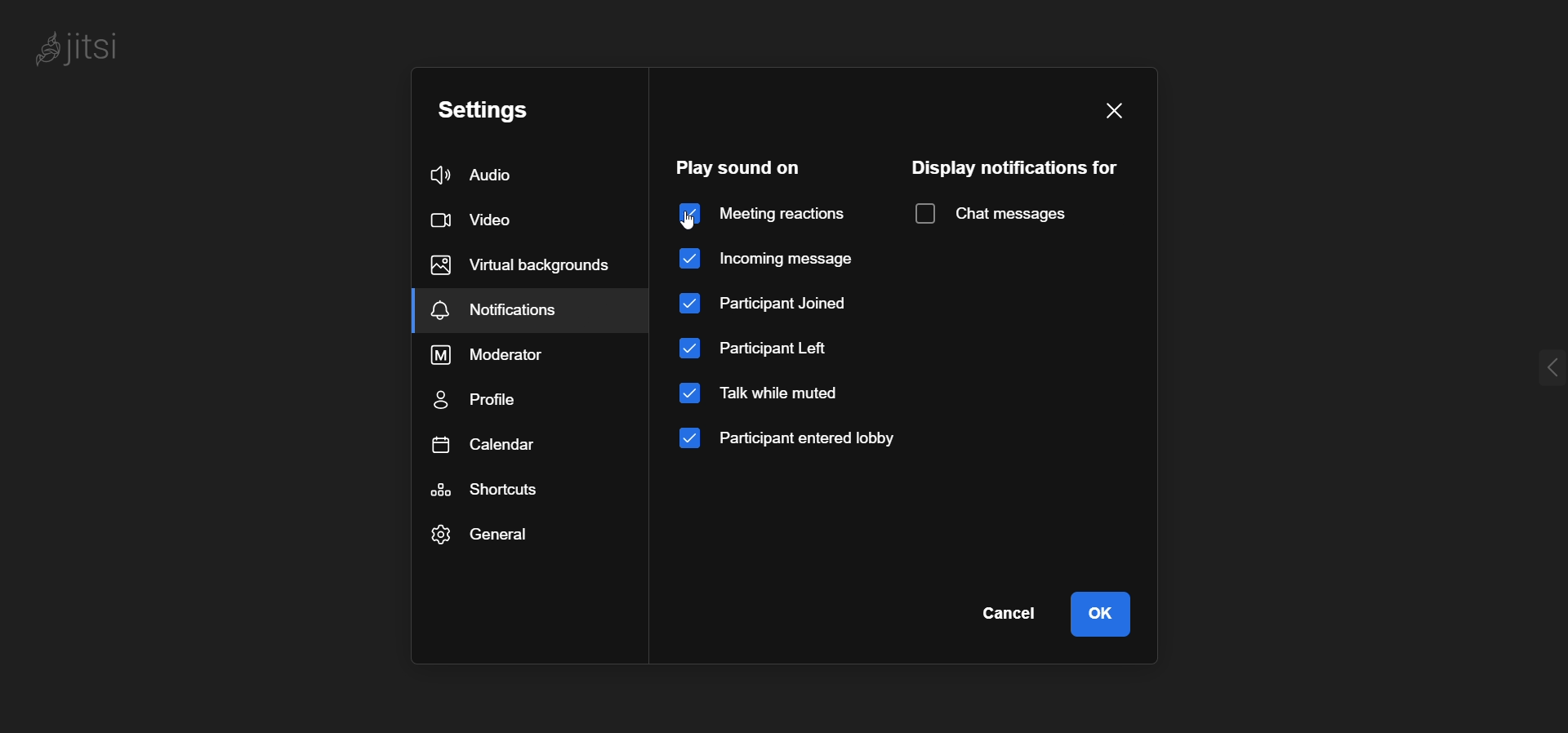 This screenshot has width=1568, height=733. What do you see at coordinates (1112, 111) in the screenshot?
I see `close window` at bounding box center [1112, 111].